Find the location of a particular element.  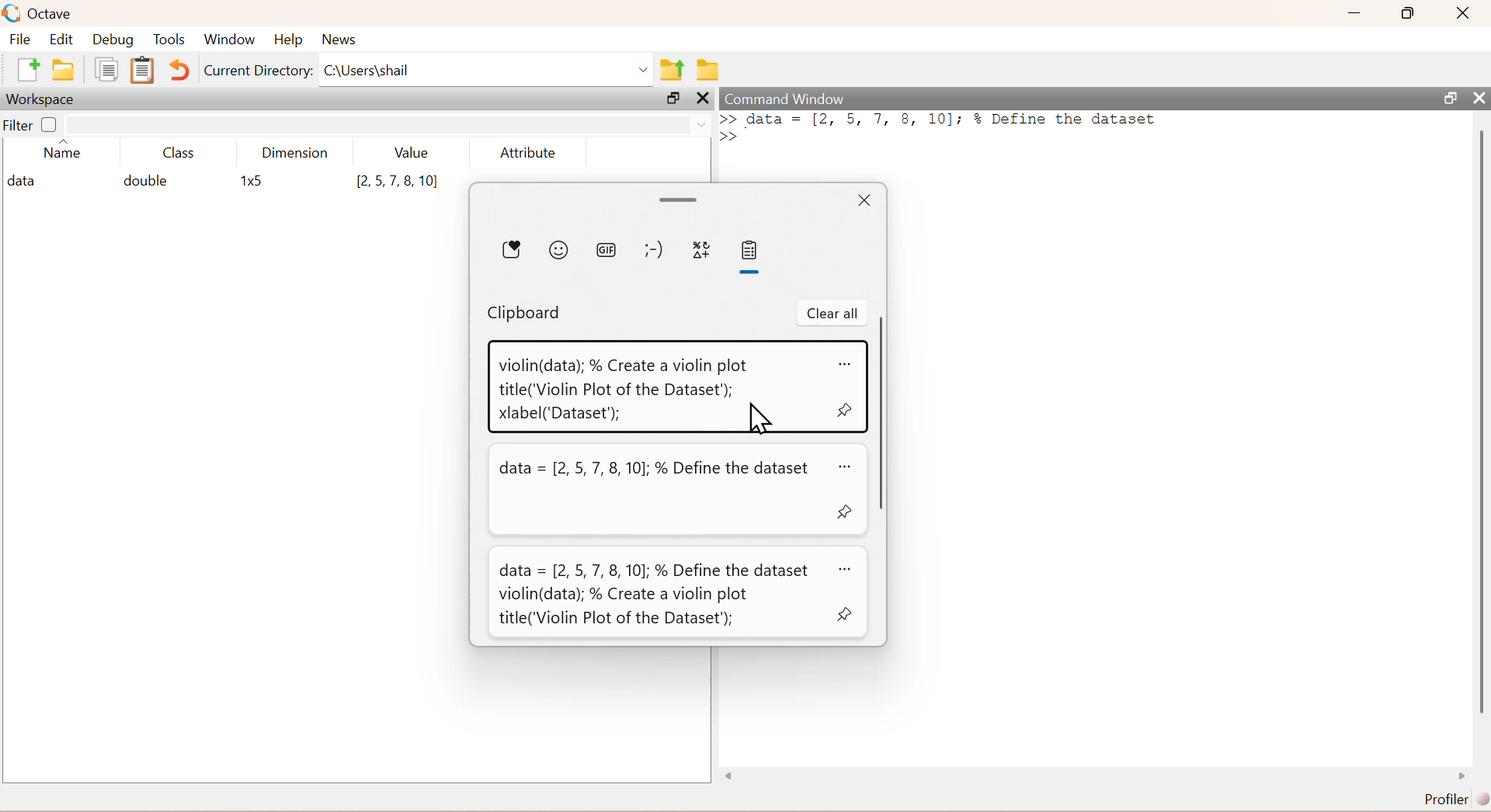

news is located at coordinates (342, 40).